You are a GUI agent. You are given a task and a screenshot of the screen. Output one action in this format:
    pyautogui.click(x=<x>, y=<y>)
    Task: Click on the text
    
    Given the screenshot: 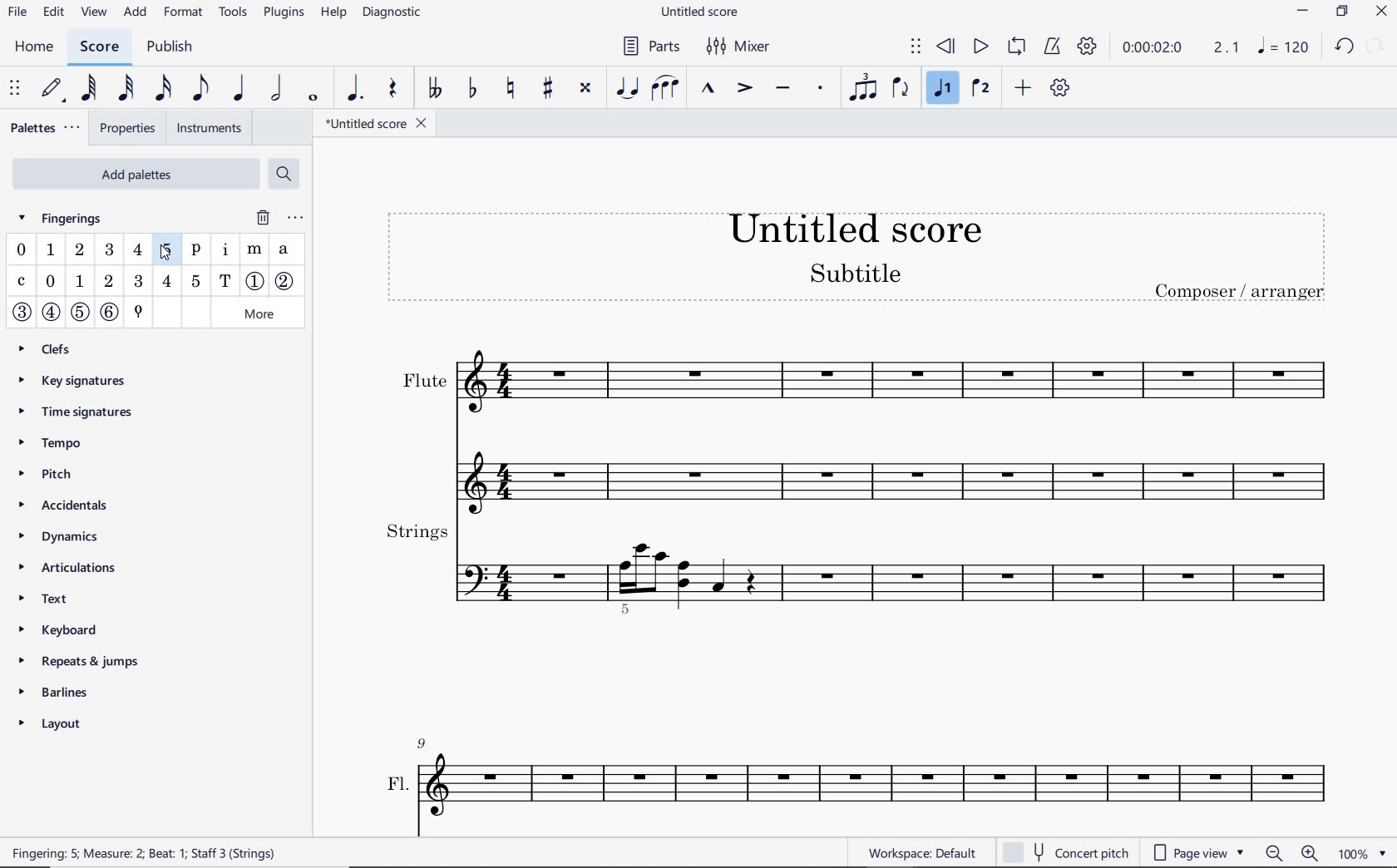 What is the action you would take?
    pyautogui.click(x=46, y=599)
    